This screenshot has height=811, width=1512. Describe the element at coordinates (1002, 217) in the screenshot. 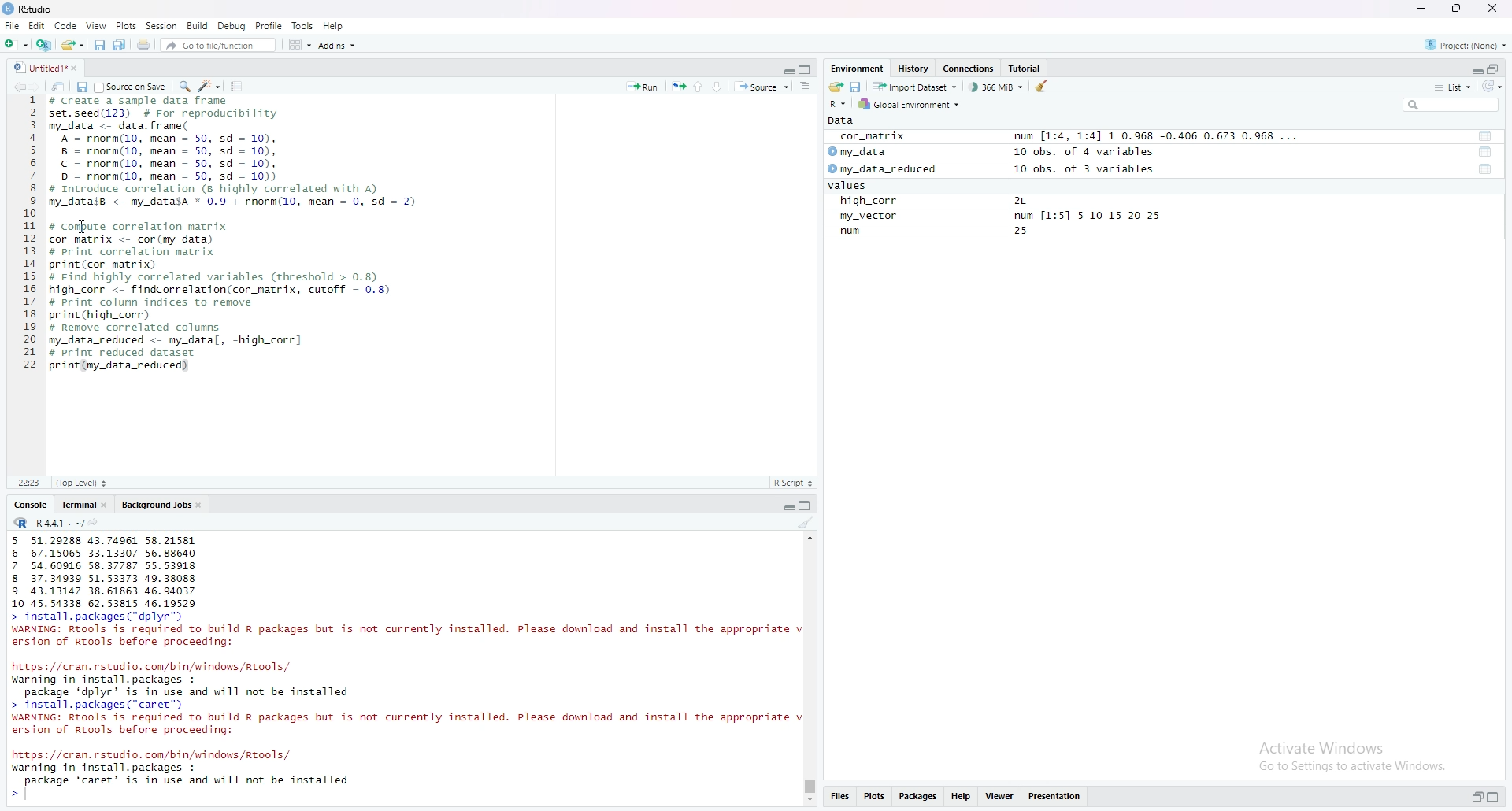

I see `my_vector num [1:5] 5 10 15 20 25` at that location.